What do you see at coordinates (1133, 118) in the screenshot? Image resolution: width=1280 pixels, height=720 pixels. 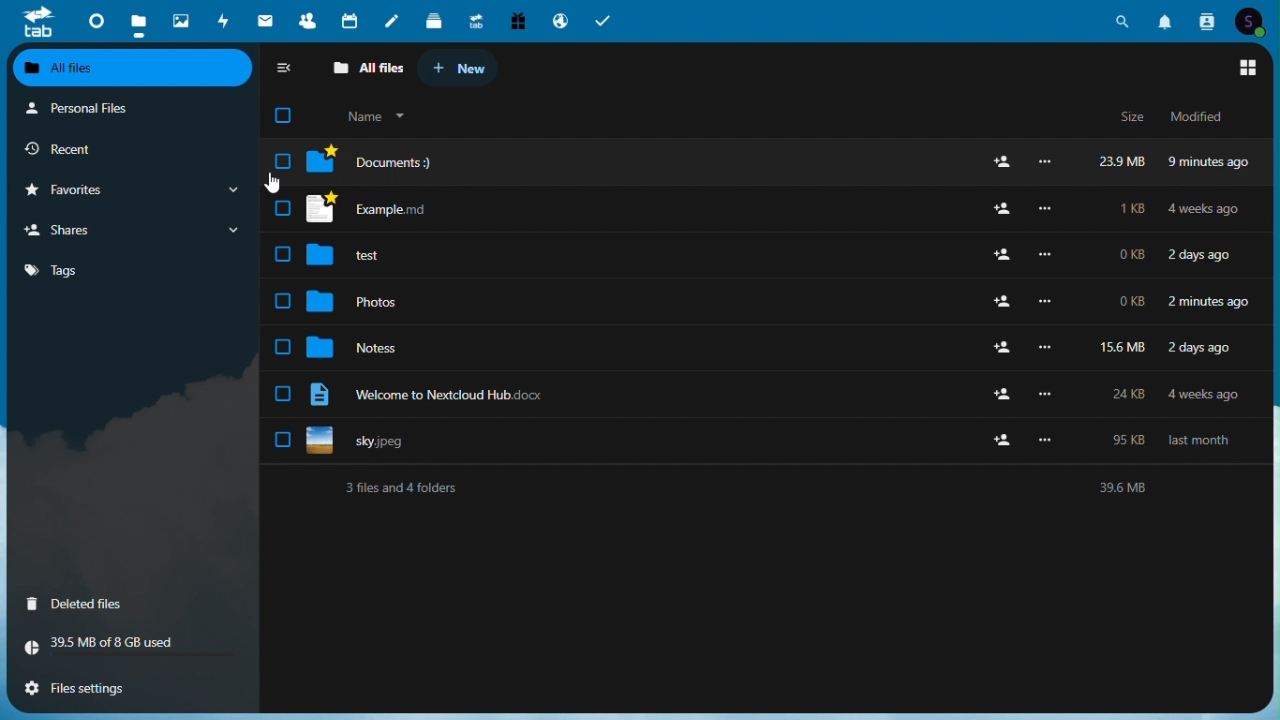 I see `Size` at bounding box center [1133, 118].